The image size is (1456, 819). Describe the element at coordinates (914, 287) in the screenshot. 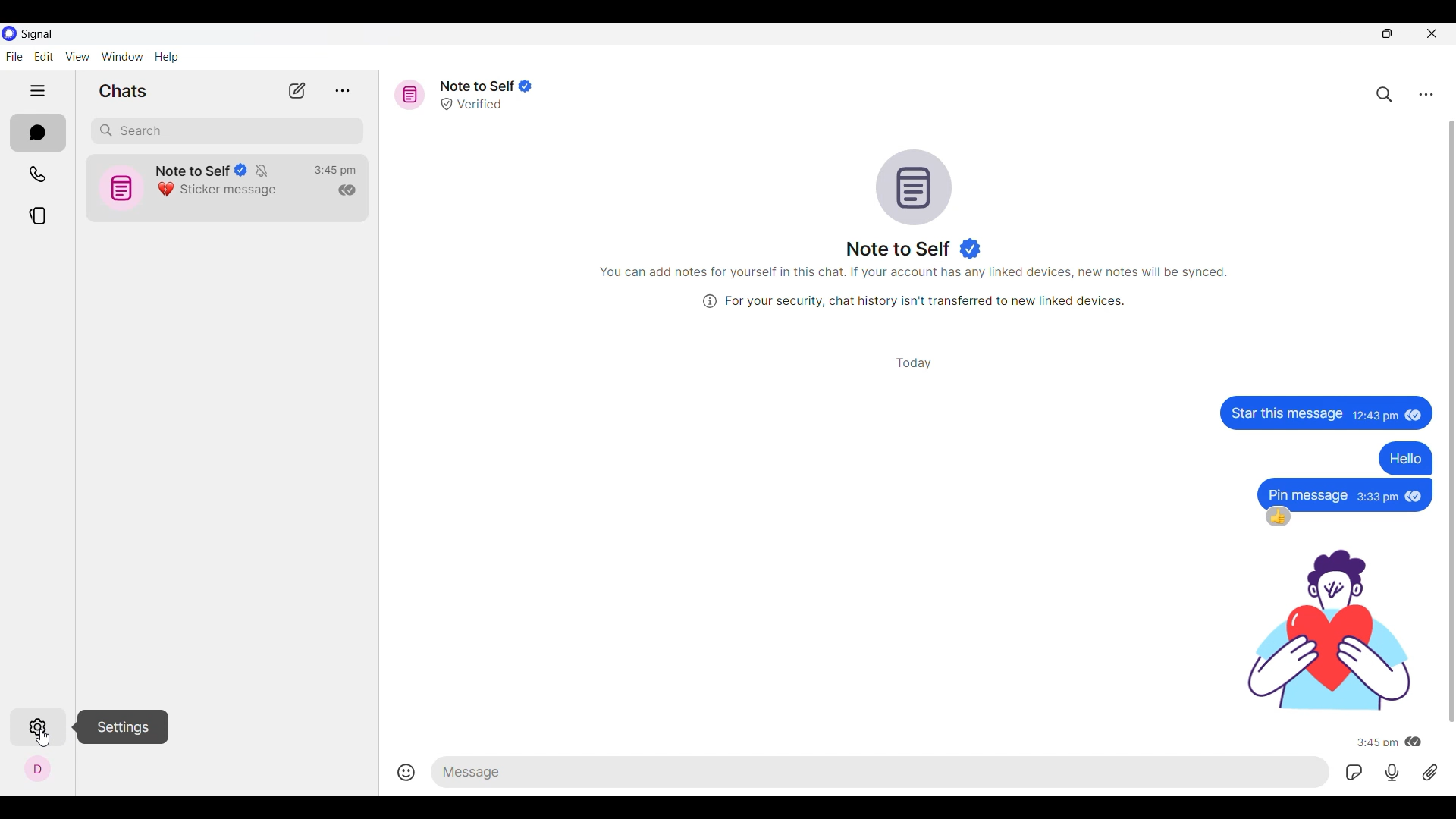

I see `Chat description` at that location.